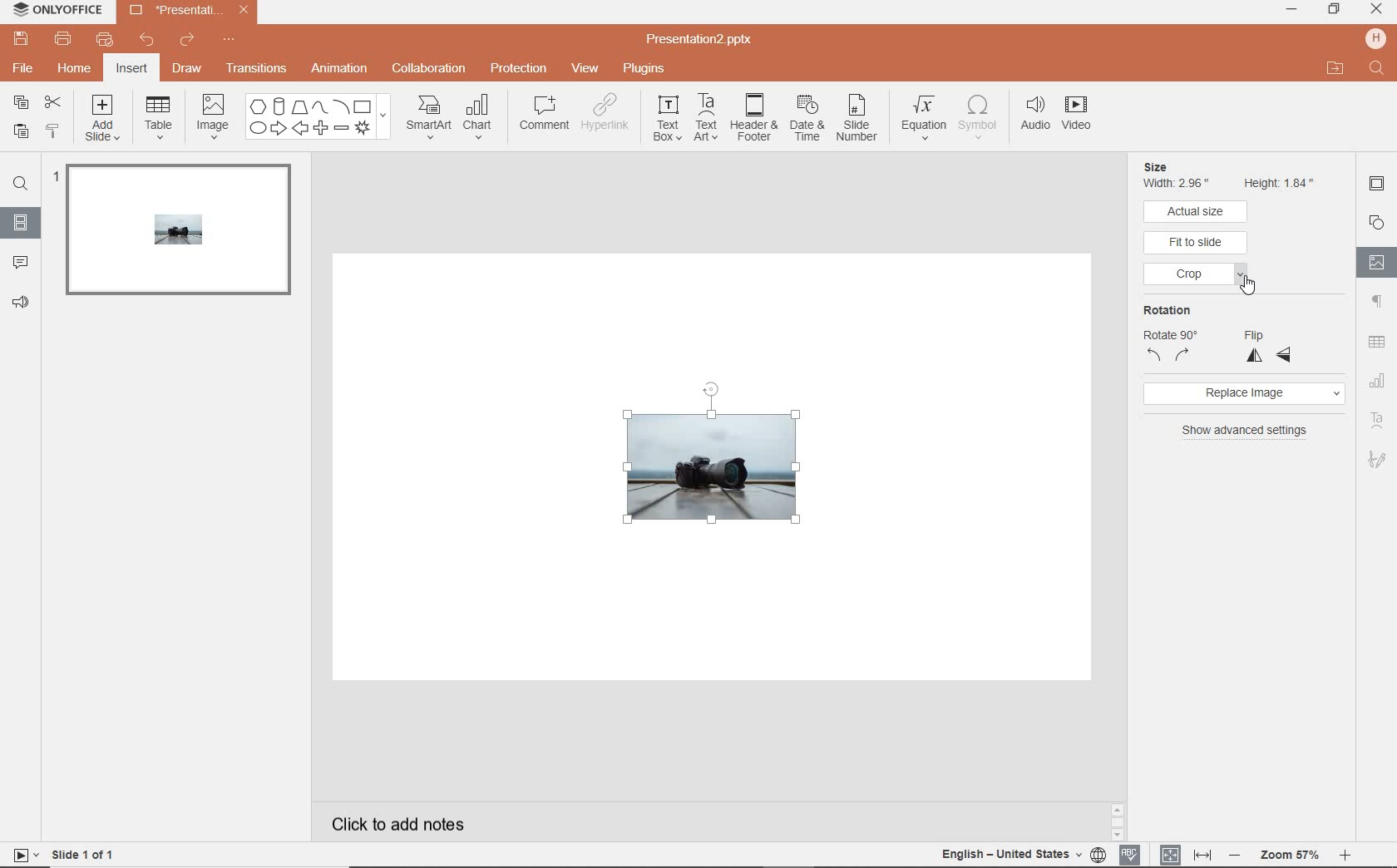 The image size is (1397, 868). I want to click on shapes, so click(316, 117).